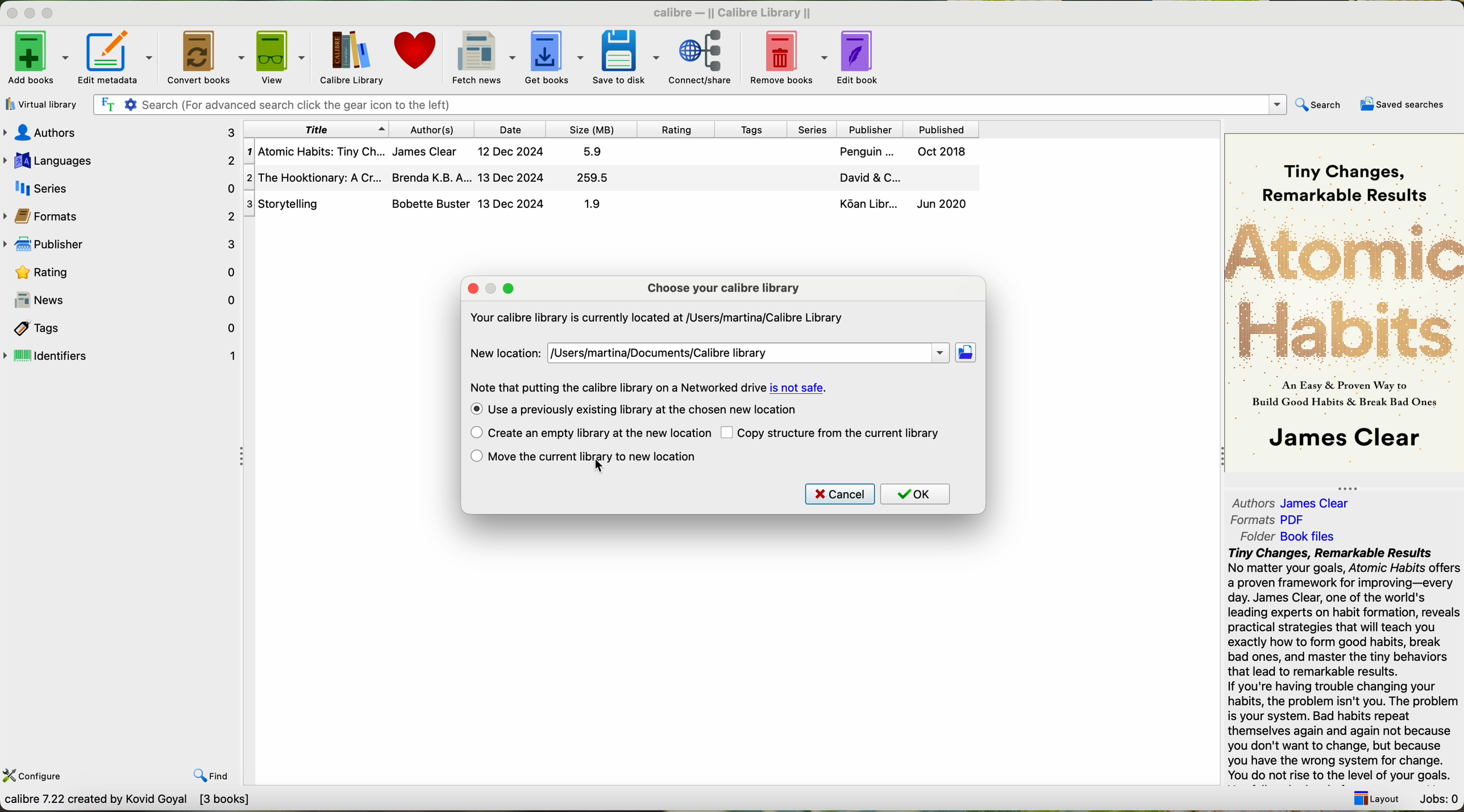 The image size is (1464, 812). What do you see at coordinates (210, 776) in the screenshot?
I see `find` at bounding box center [210, 776].